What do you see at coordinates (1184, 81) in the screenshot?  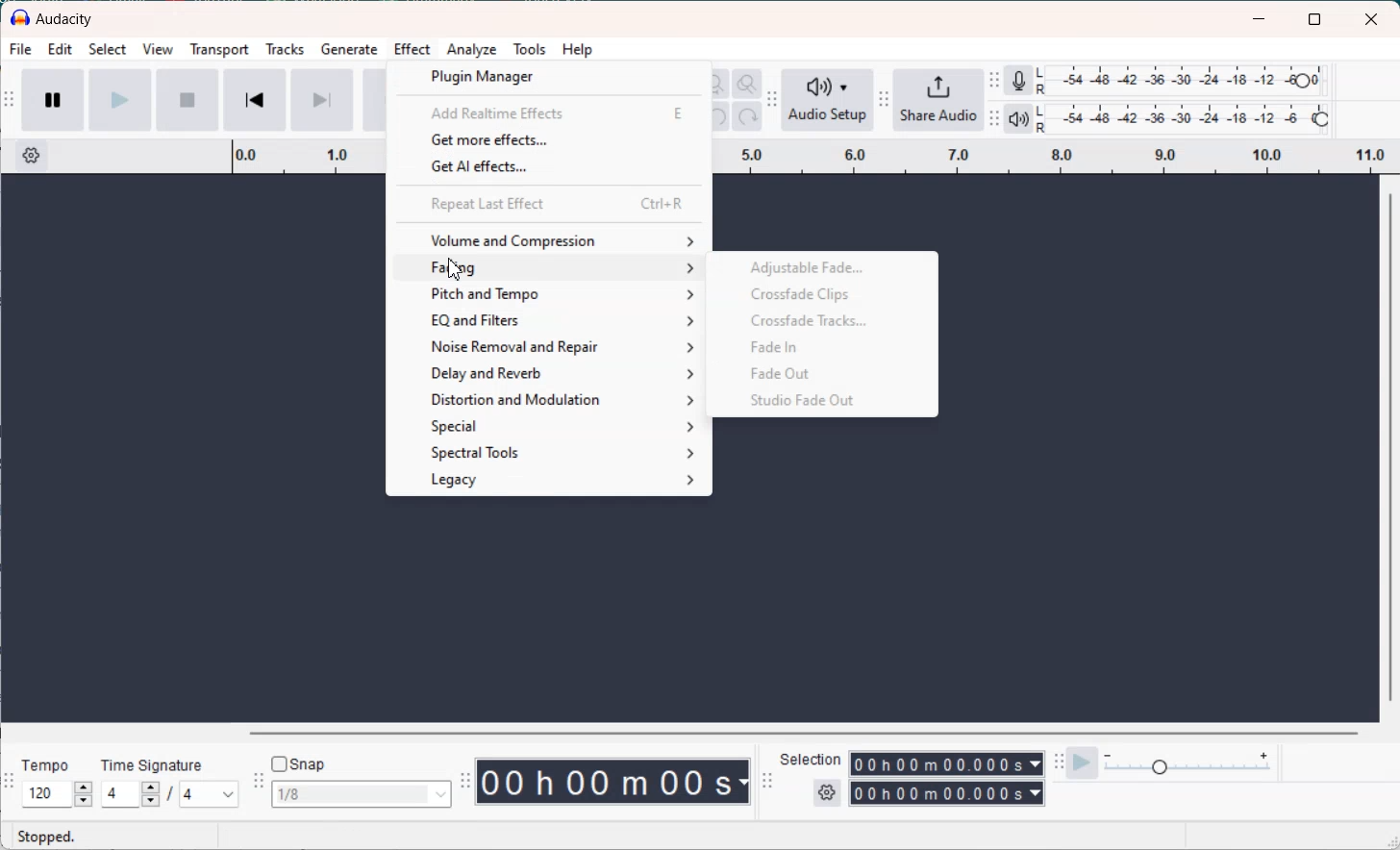 I see `Recording level 86%` at bounding box center [1184, 81].